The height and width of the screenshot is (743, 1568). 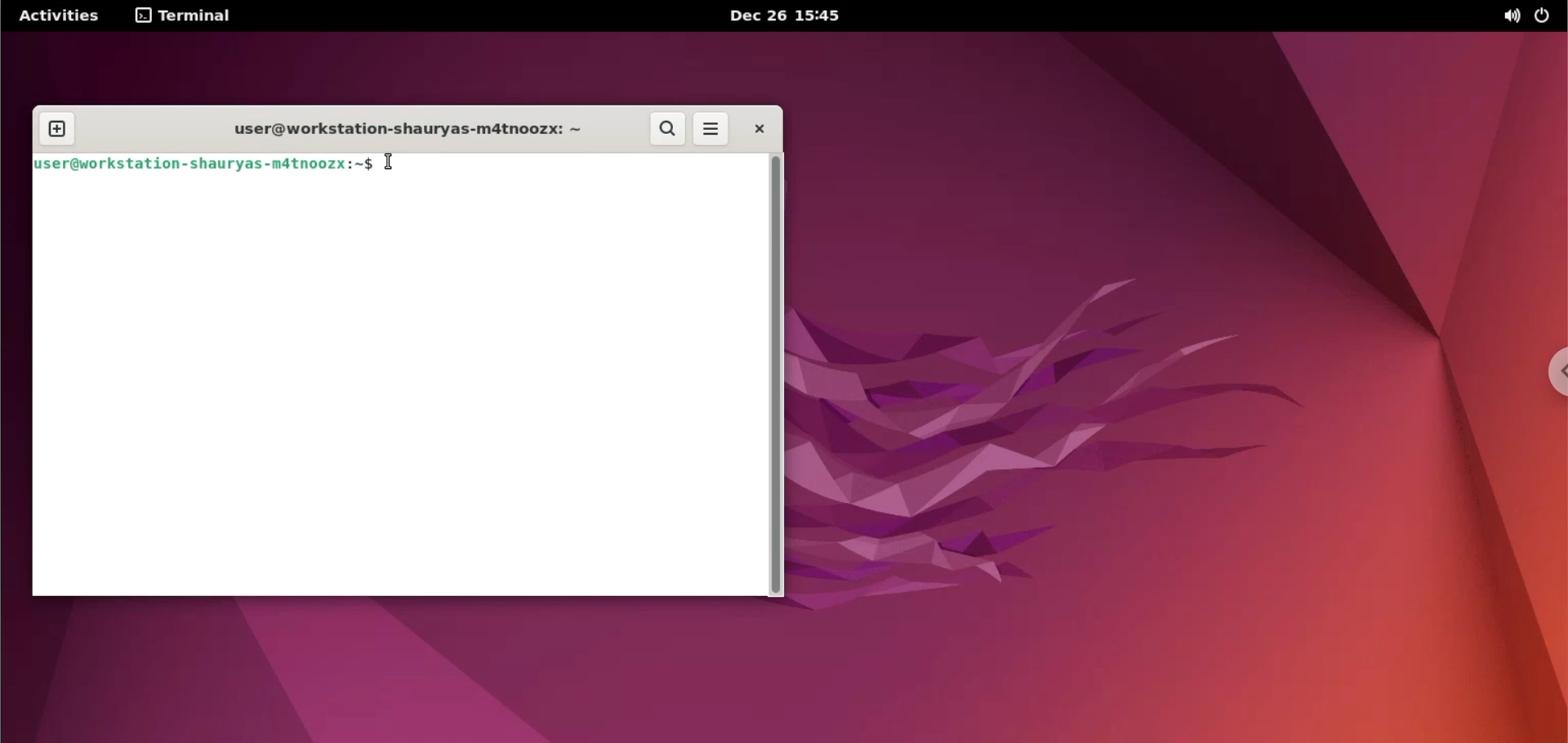 I want to click on command input box, so click(x=398, y=391).